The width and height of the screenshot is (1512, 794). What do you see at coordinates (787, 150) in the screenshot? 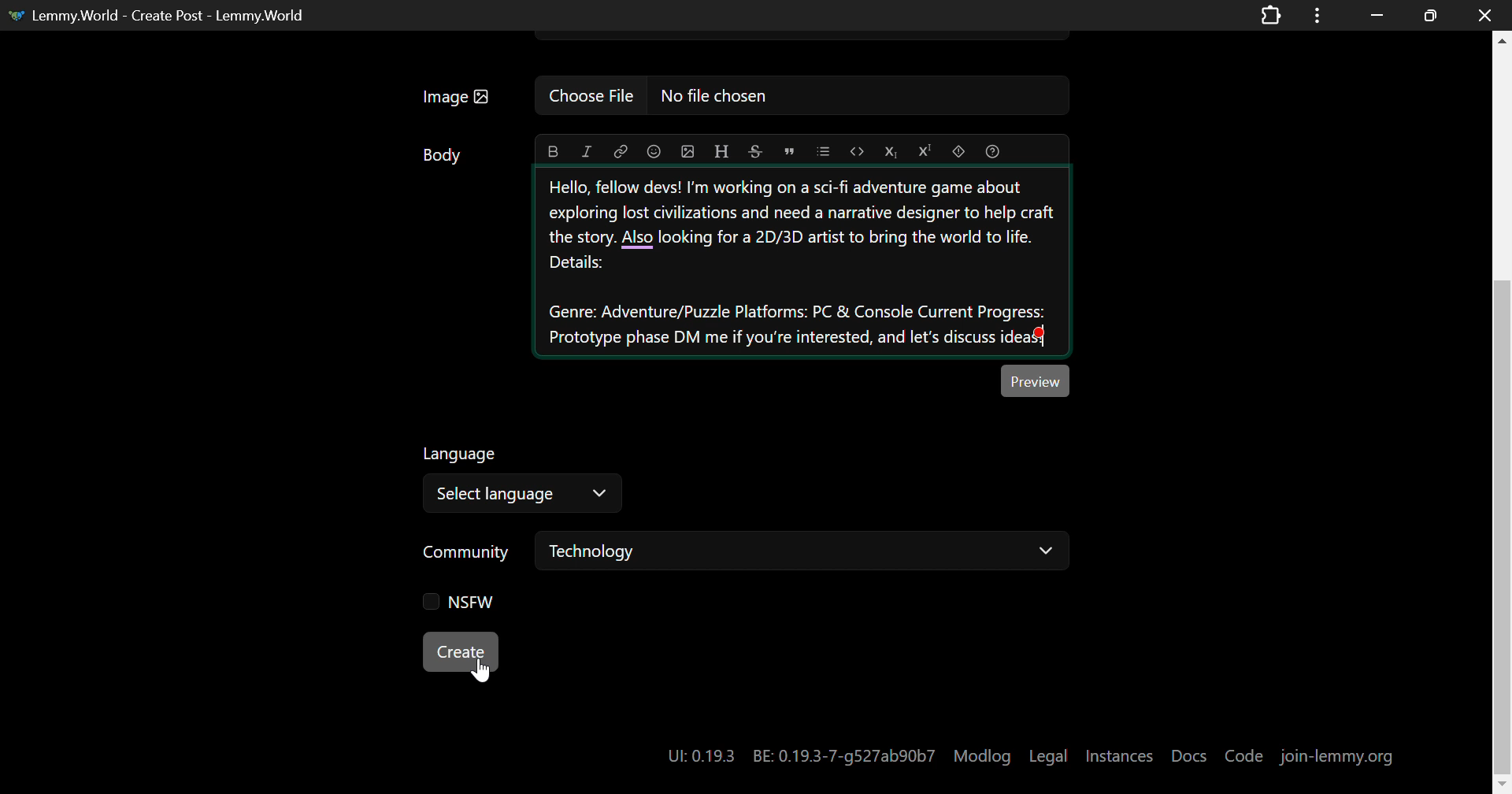
I see `quote` at bounding box center [787, 150].